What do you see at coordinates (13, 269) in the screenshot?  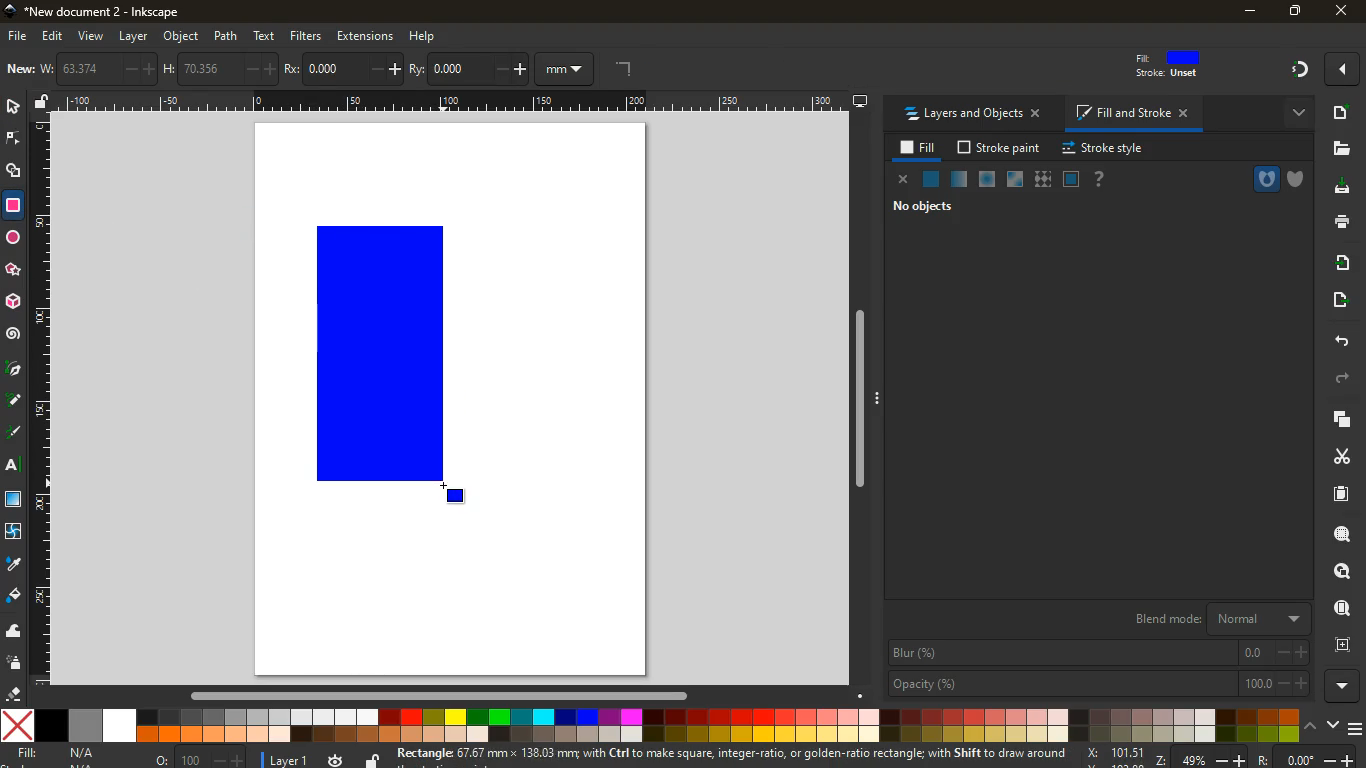 I see `` at bounding box center [13, 269].